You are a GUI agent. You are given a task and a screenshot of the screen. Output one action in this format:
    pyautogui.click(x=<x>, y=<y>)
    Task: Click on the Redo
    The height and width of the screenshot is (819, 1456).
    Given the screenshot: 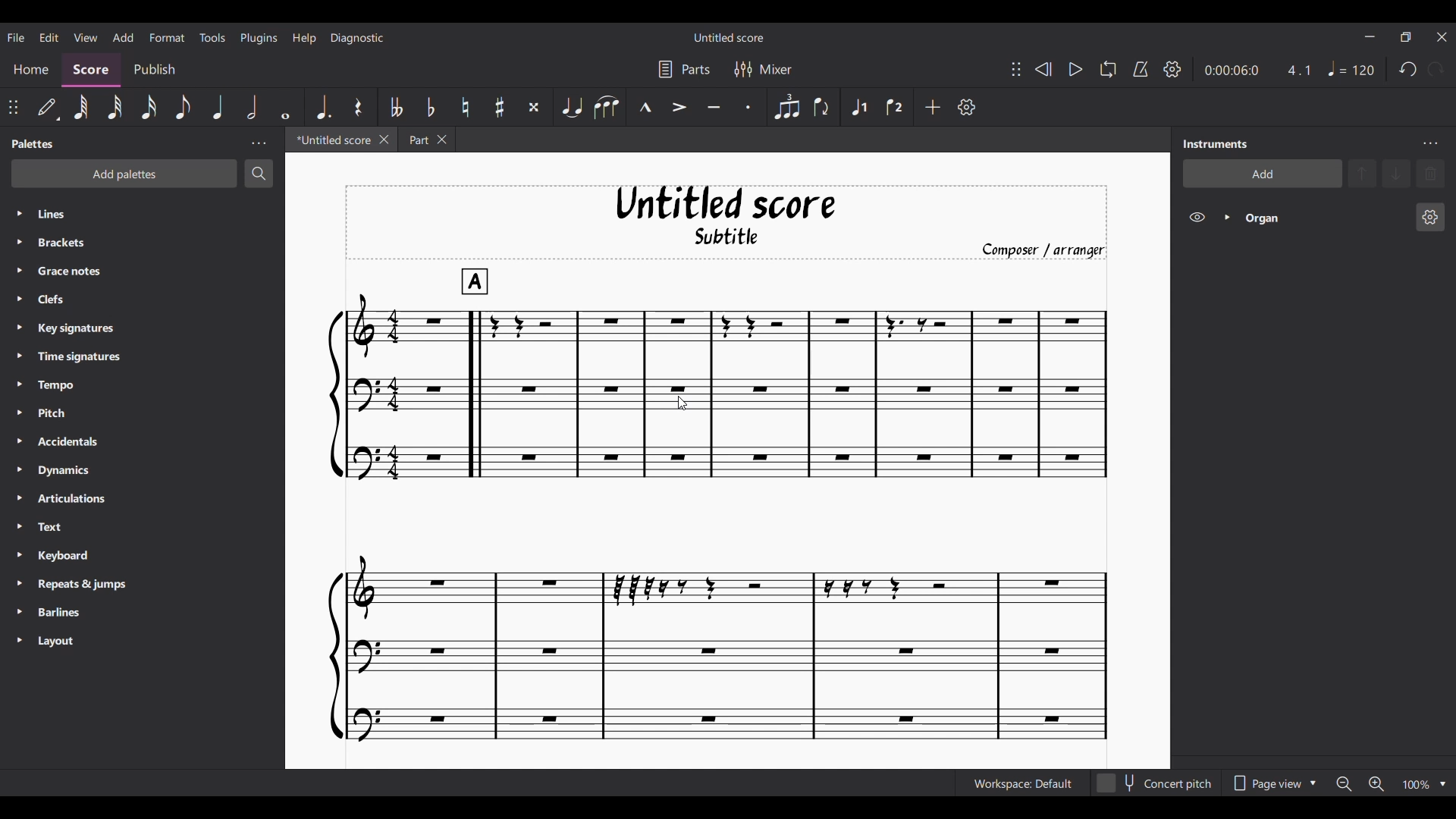 What is the action you would take?
    pyautogui.click(x=1436, y=70)
    